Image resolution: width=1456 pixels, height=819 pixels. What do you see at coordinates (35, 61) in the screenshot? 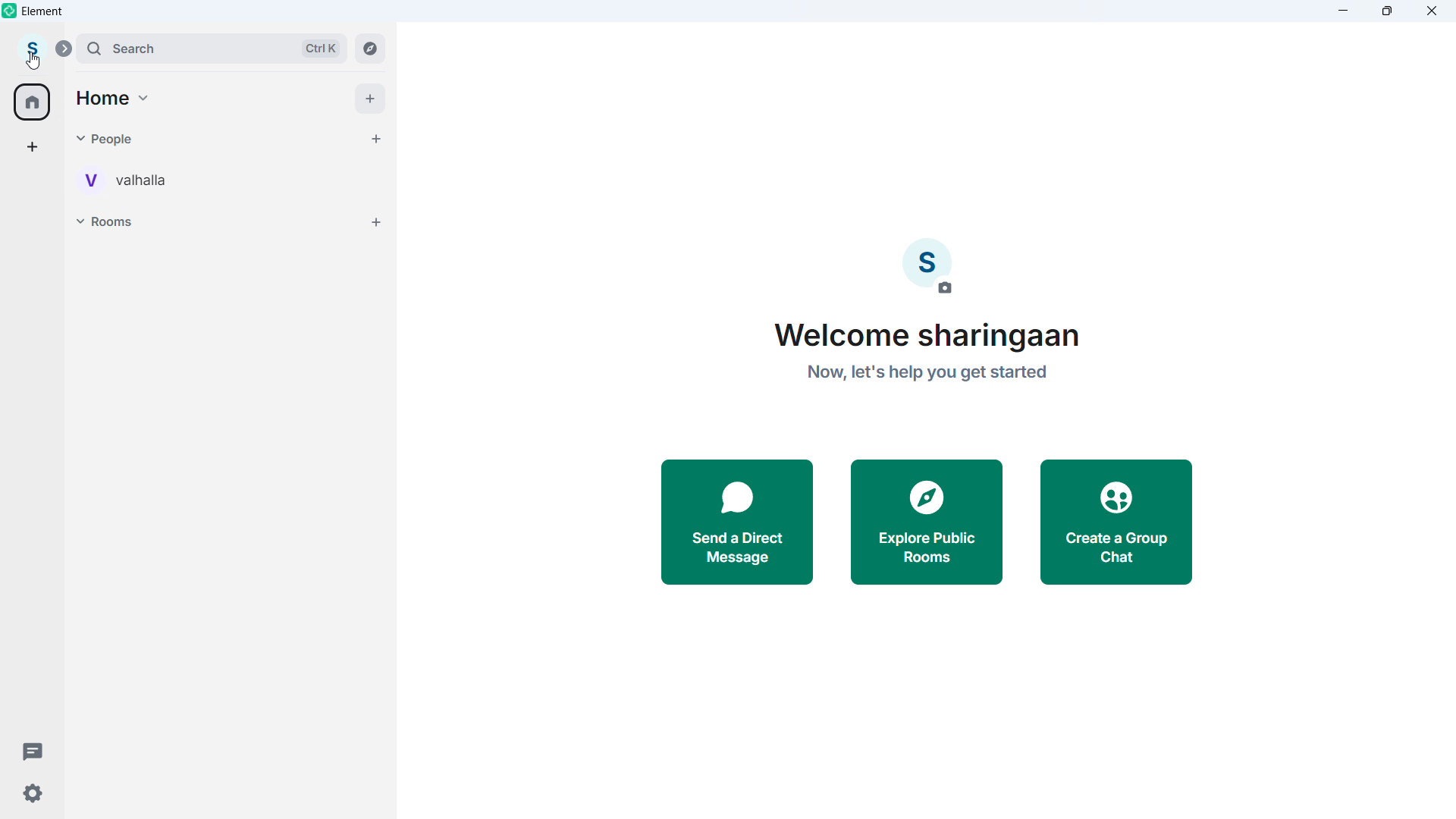
I see `cursor ` at bounding box center [35, 61].